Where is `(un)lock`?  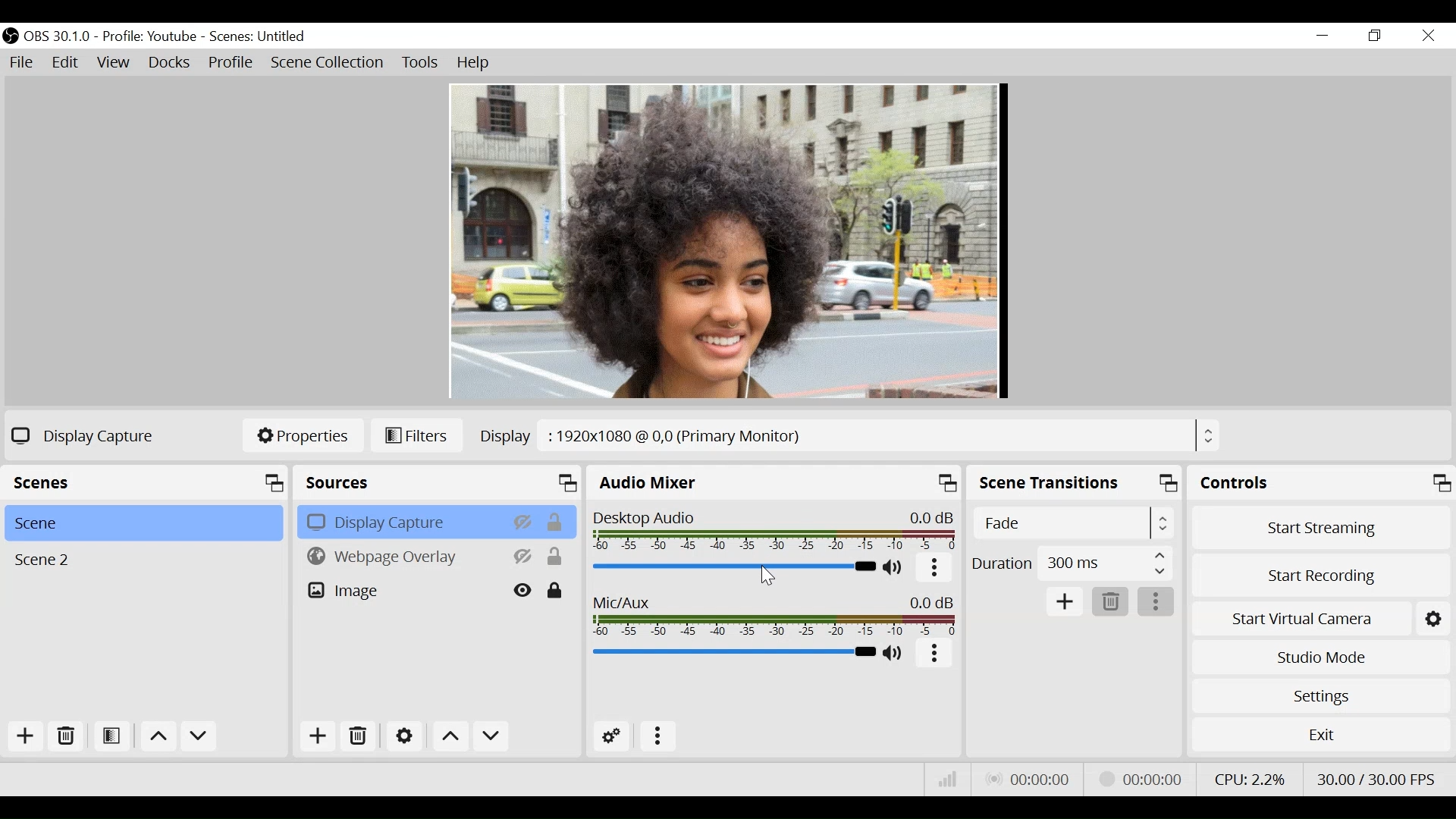 (un)lock is located at coordinates (556, 557).